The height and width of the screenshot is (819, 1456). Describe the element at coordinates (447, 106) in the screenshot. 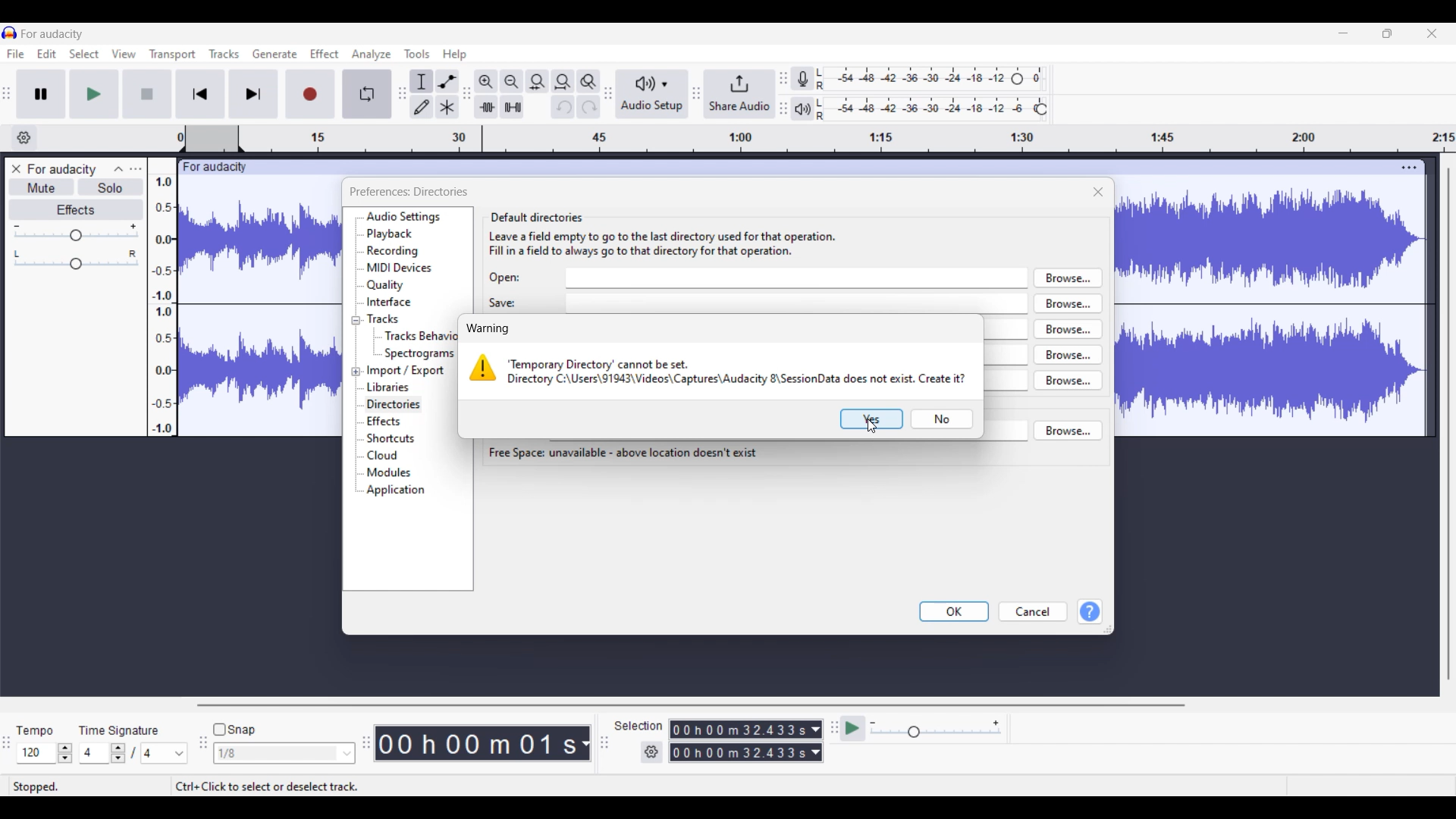

I see `Multi-tool` at that location.